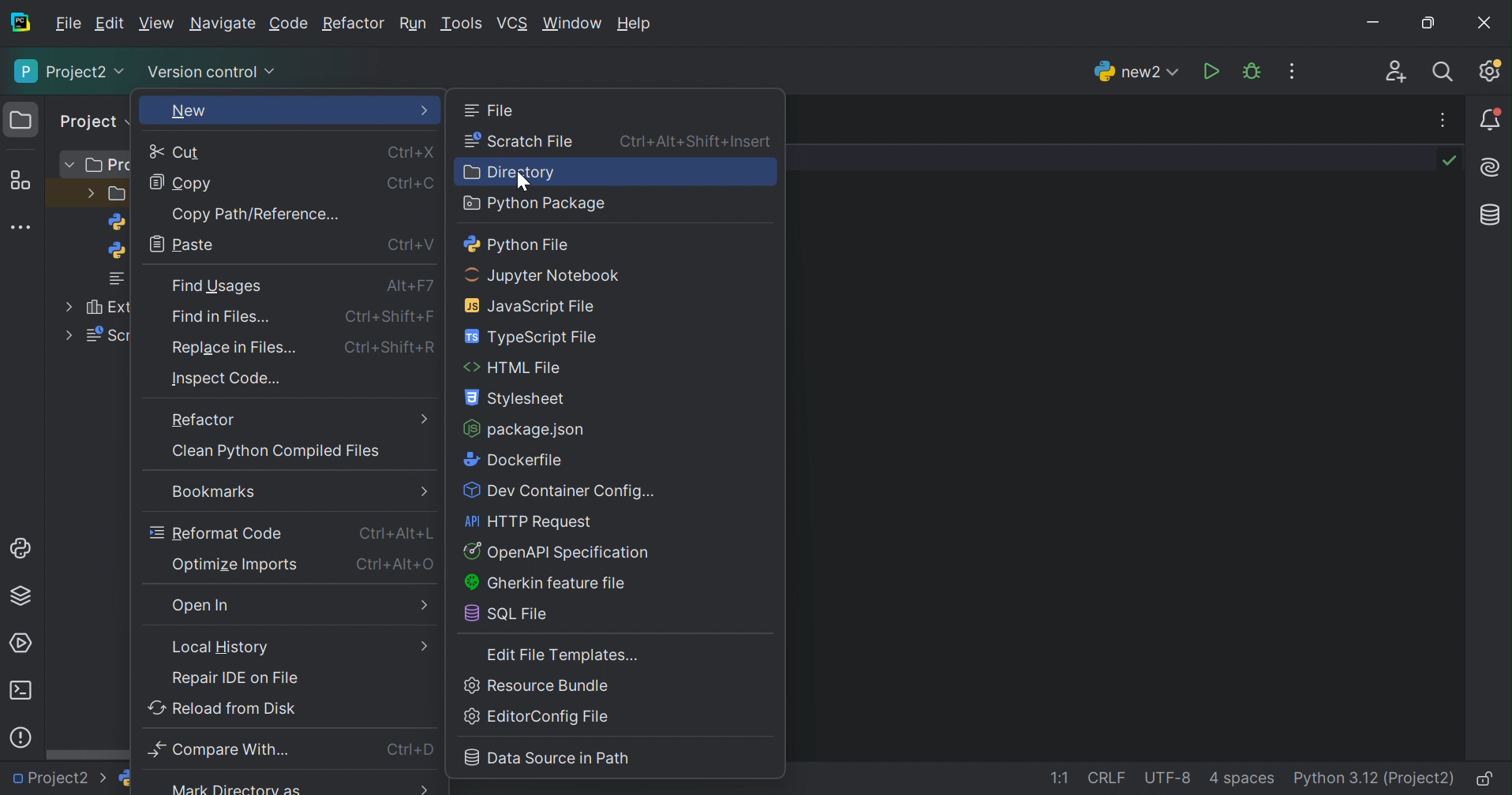  Describe the element at coordinates (406, 752) in the screenshot. I see `Ctrl+D` at that location.